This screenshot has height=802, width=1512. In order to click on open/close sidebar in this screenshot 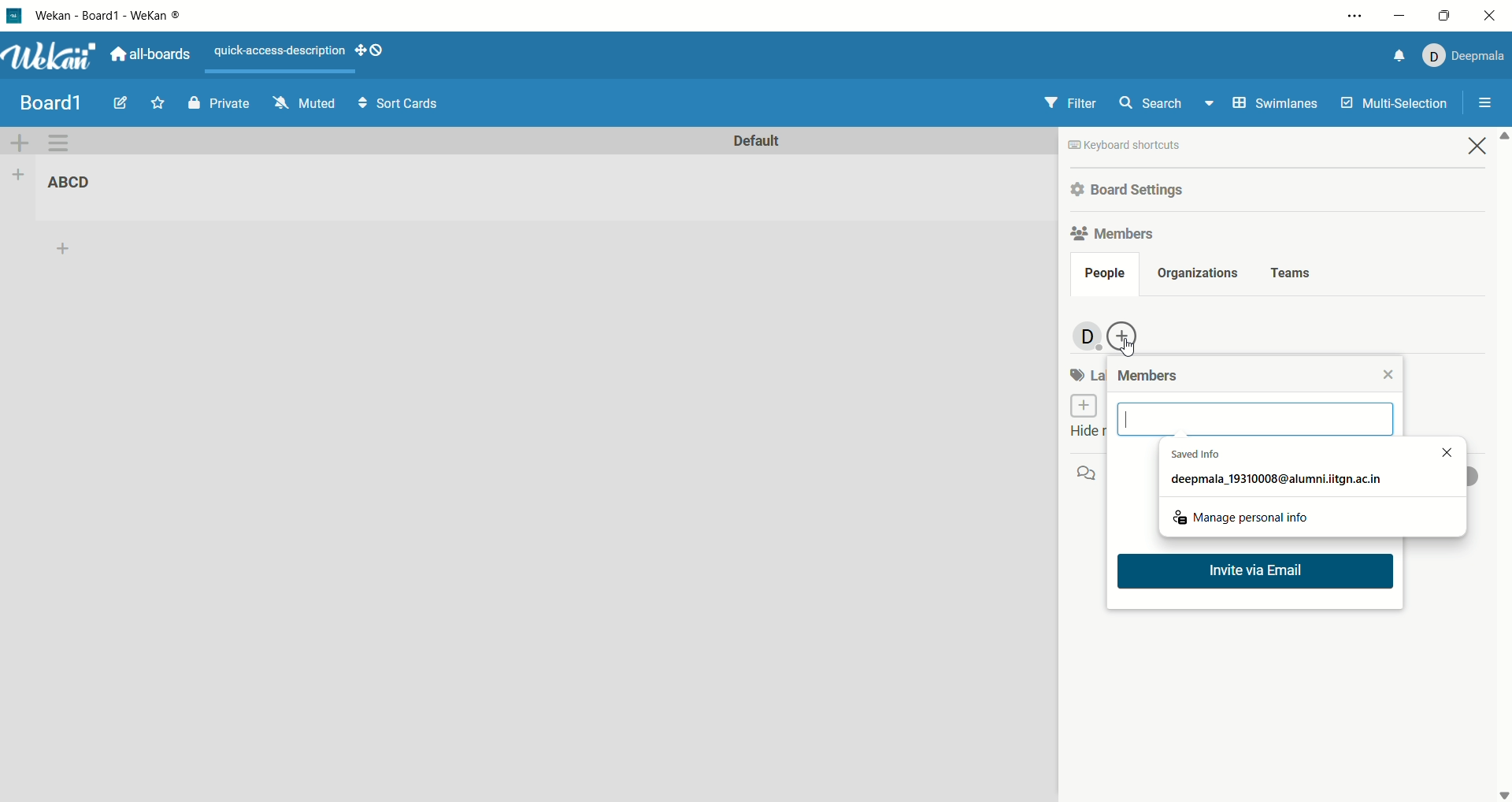, I will do `click(1486, 104)`.